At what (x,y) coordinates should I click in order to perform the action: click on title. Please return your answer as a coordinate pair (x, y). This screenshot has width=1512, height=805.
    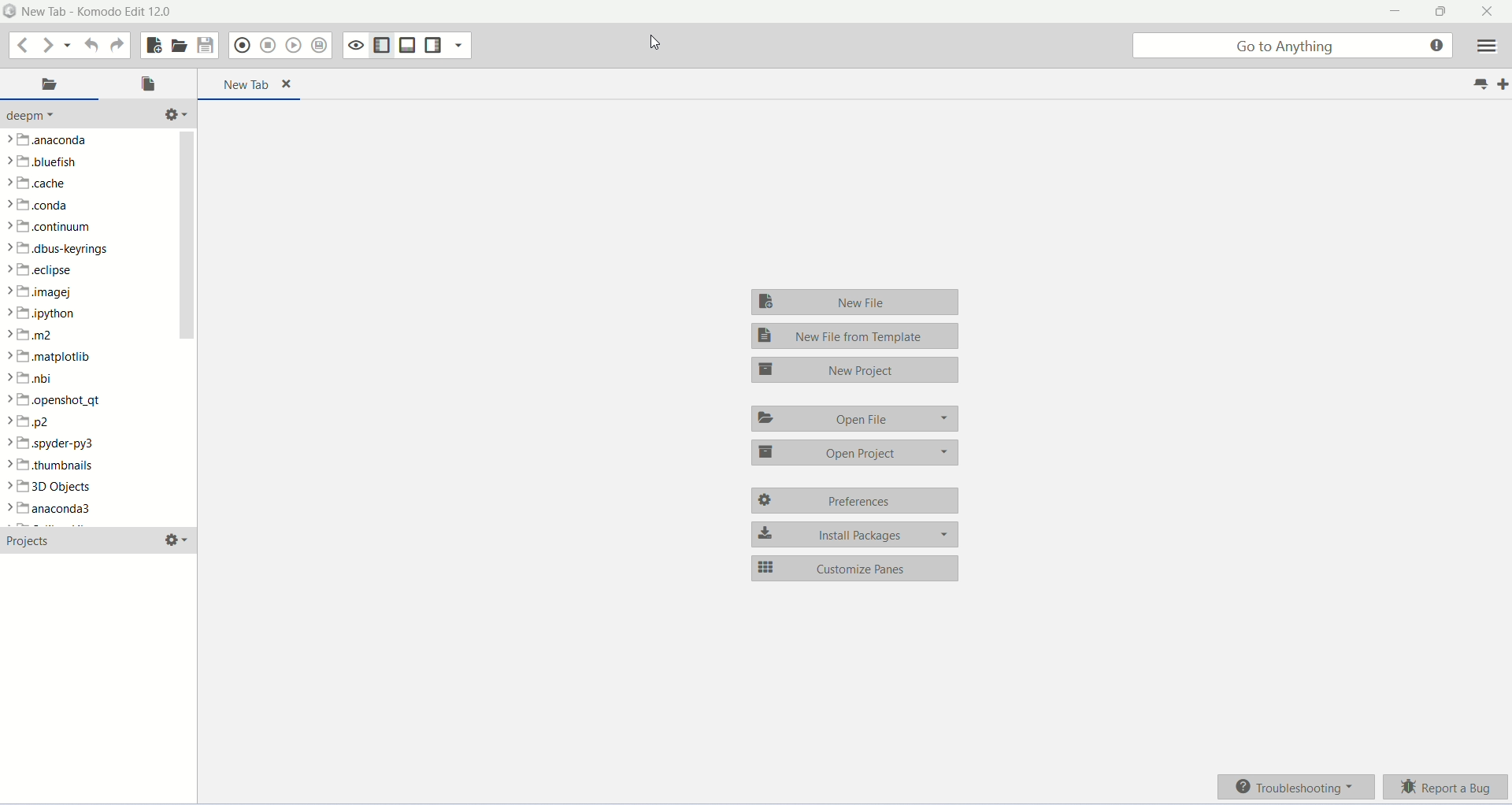
    Looking at the image, I should click on (97, 13).